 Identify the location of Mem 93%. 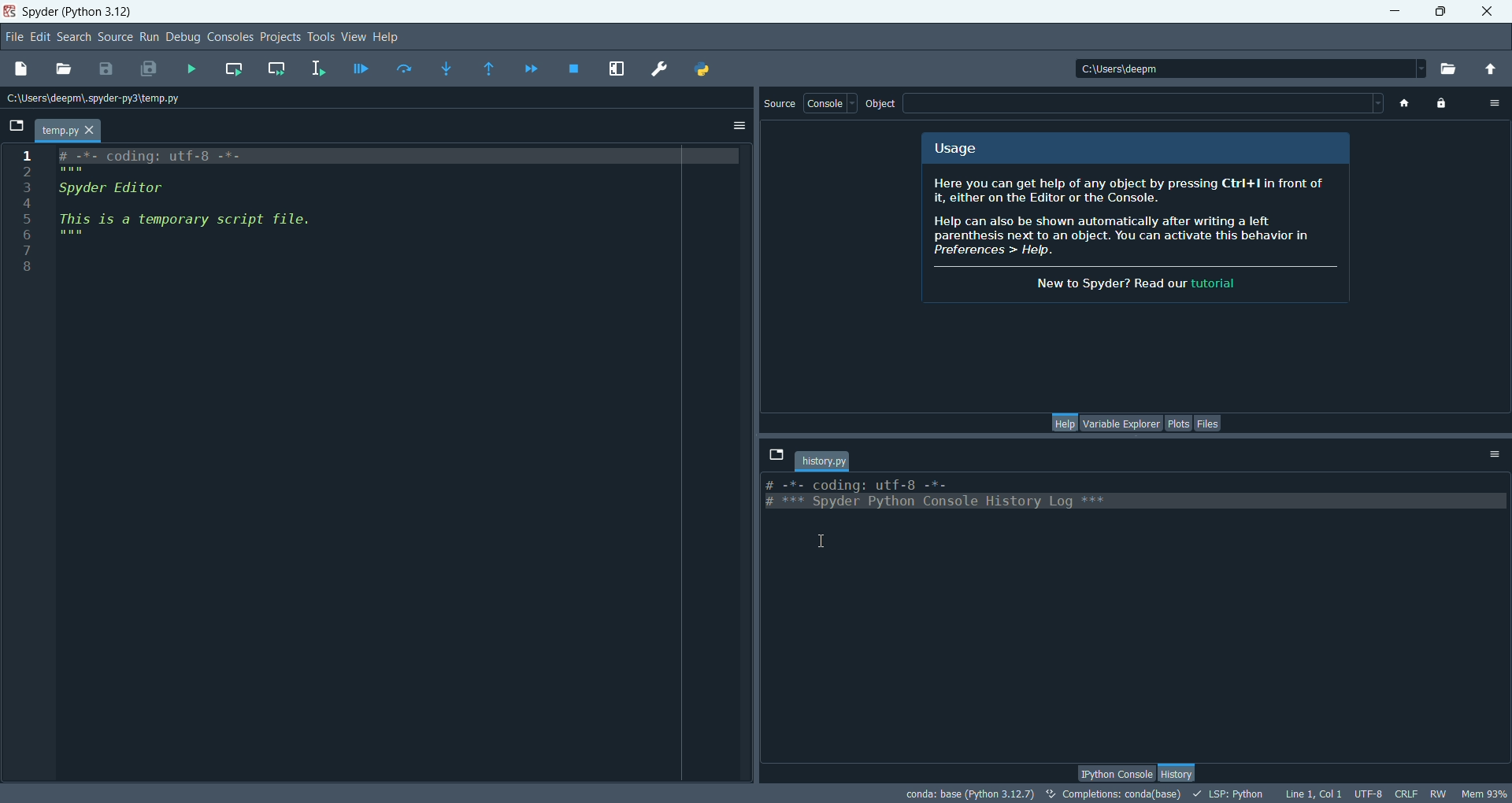
(1485, 793).